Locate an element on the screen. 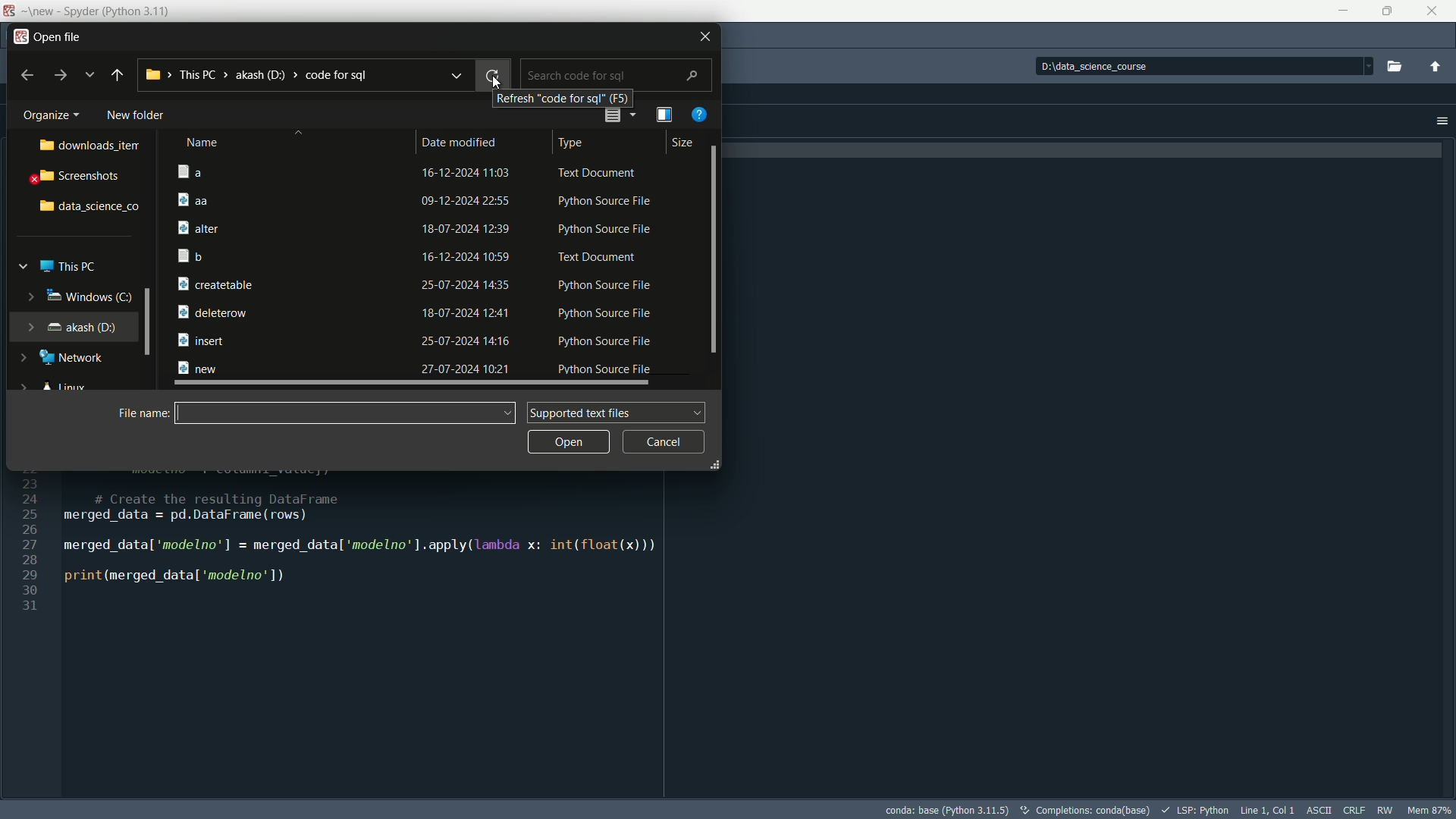 The image size is (1456, 819). Scrollbar is located at coordinates (146, 322).